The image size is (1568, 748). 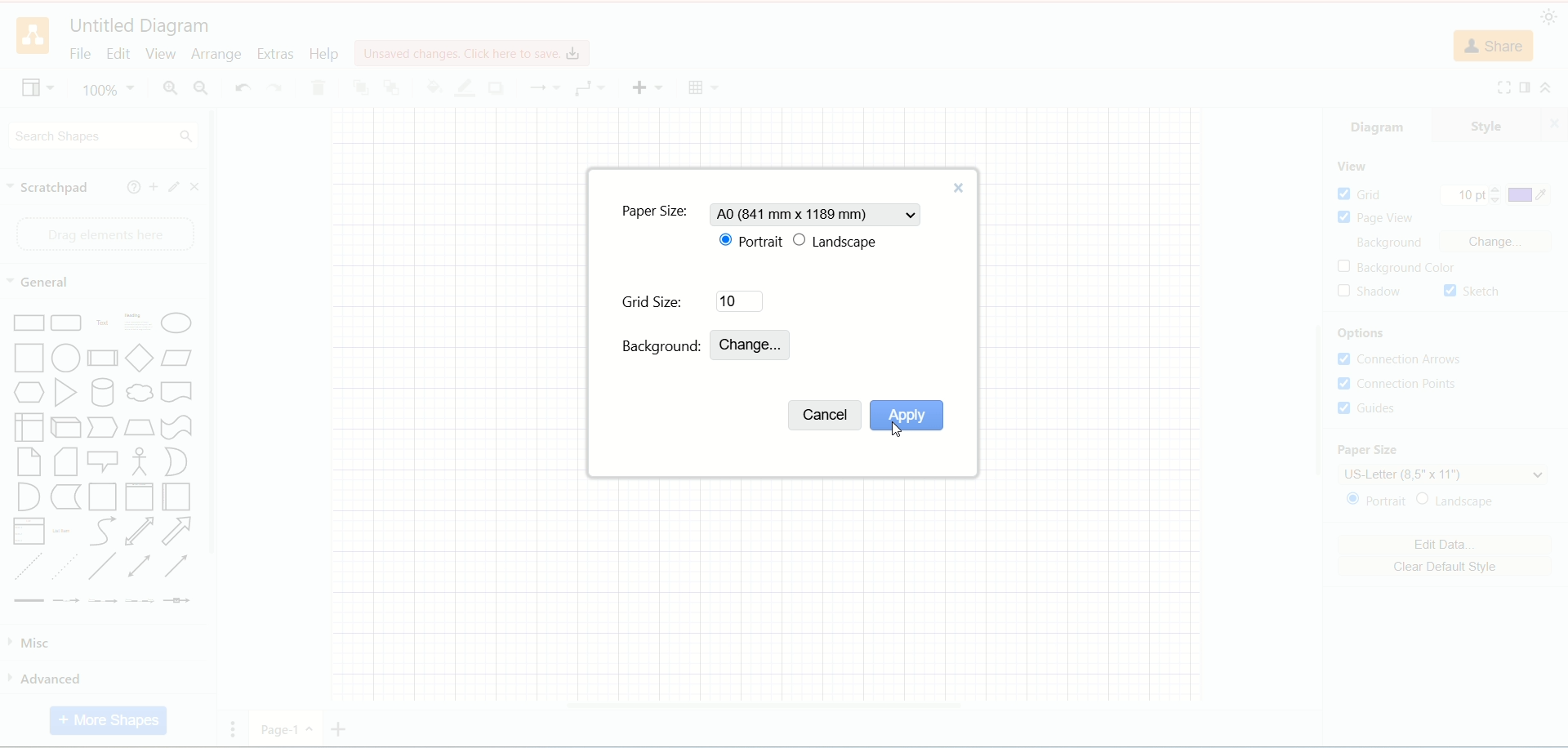 I want to click on view, so click(x=161, y=54).